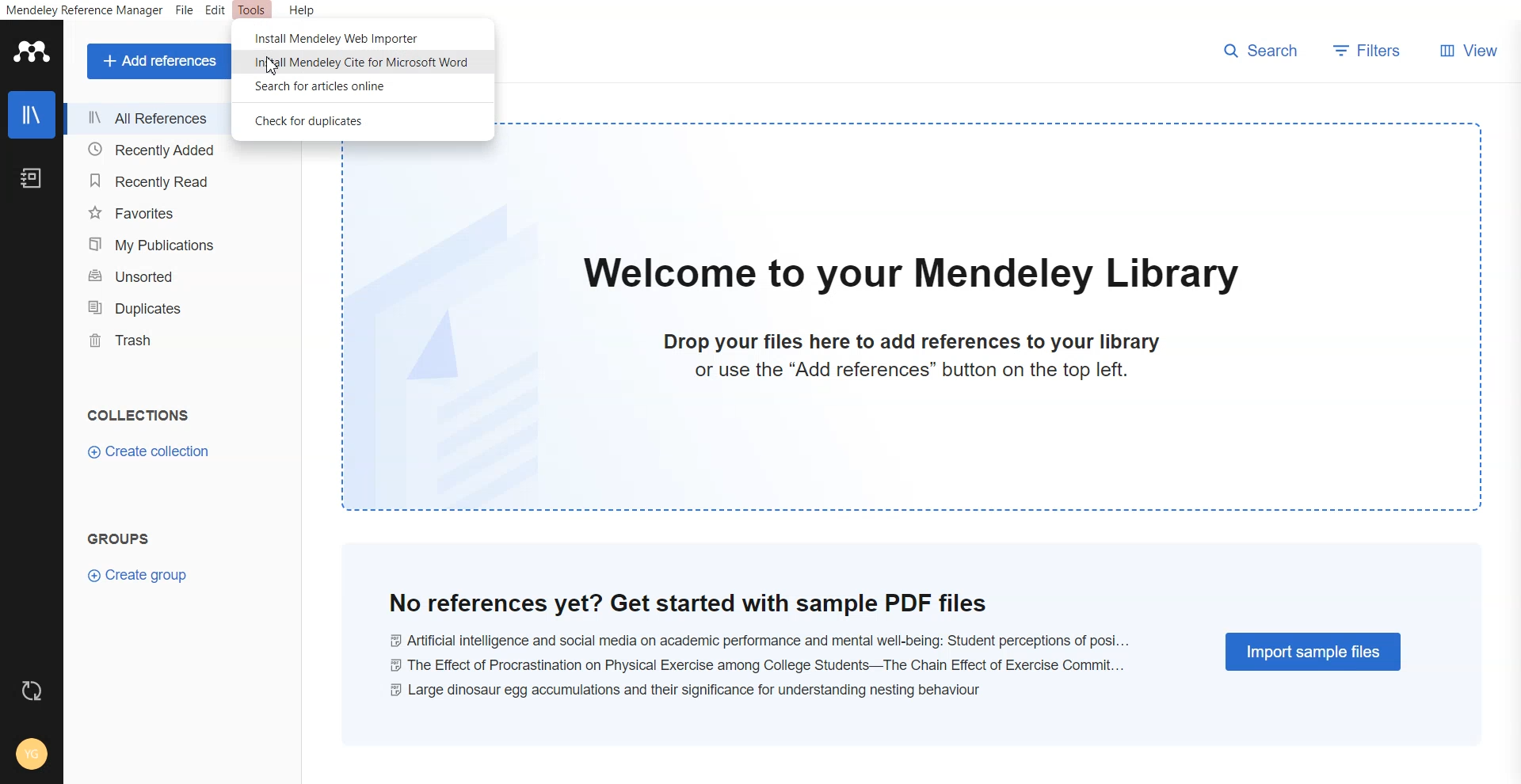 The height and width of the screenshot is (784, 1521). Describe the element at coordinates (119, 539) in the screenshot. I see `groups` at that location.